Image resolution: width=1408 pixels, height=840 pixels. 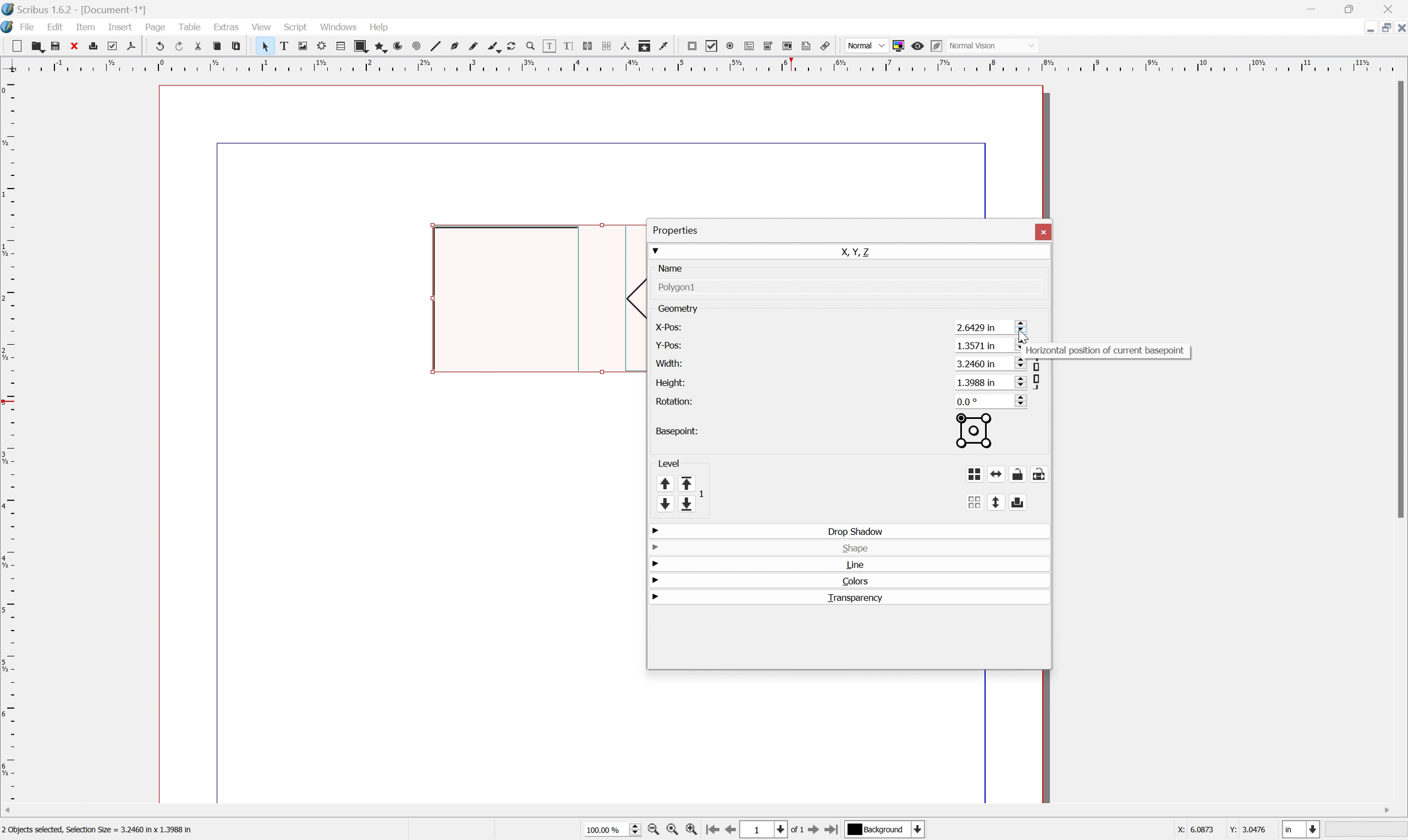 I want to click on preflight verifier, so click(x=110, y=42).